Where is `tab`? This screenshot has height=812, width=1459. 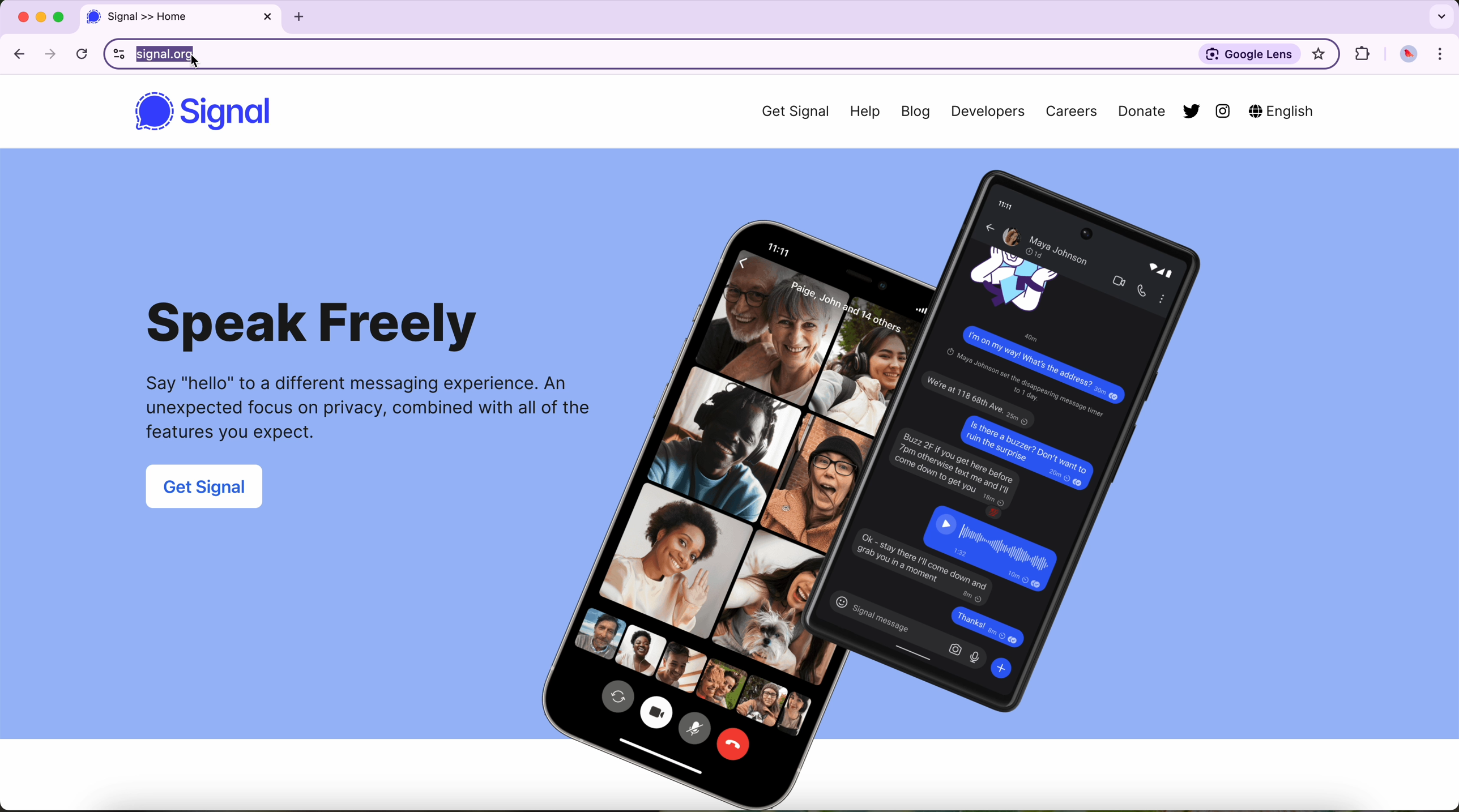 tab is located at coordinates (181, 18).